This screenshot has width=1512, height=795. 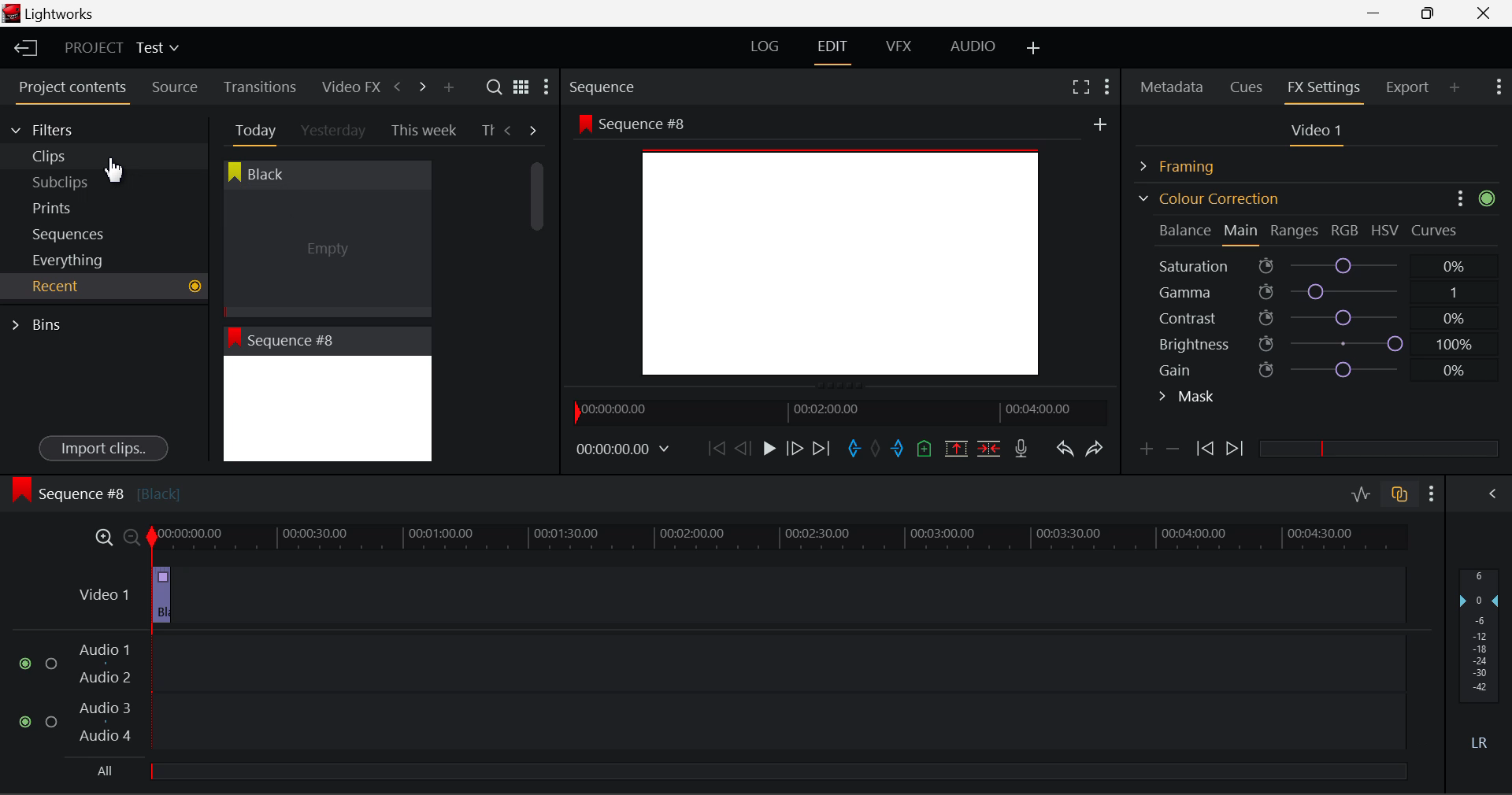 I want to click on Go Back, so click(x=745, y=447).